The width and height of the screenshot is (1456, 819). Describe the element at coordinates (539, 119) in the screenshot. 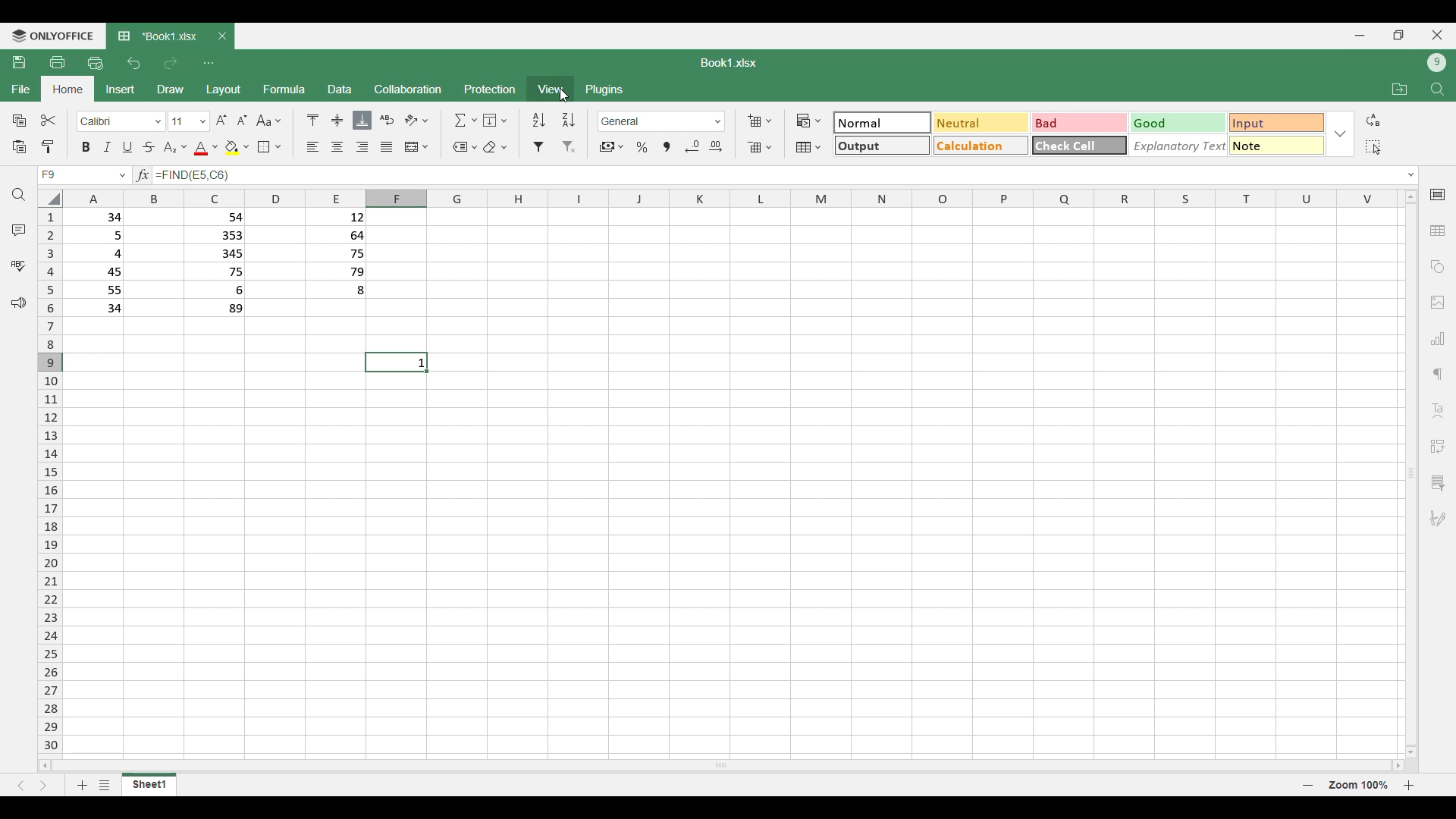

I see `Sort from A to Z` at that location.